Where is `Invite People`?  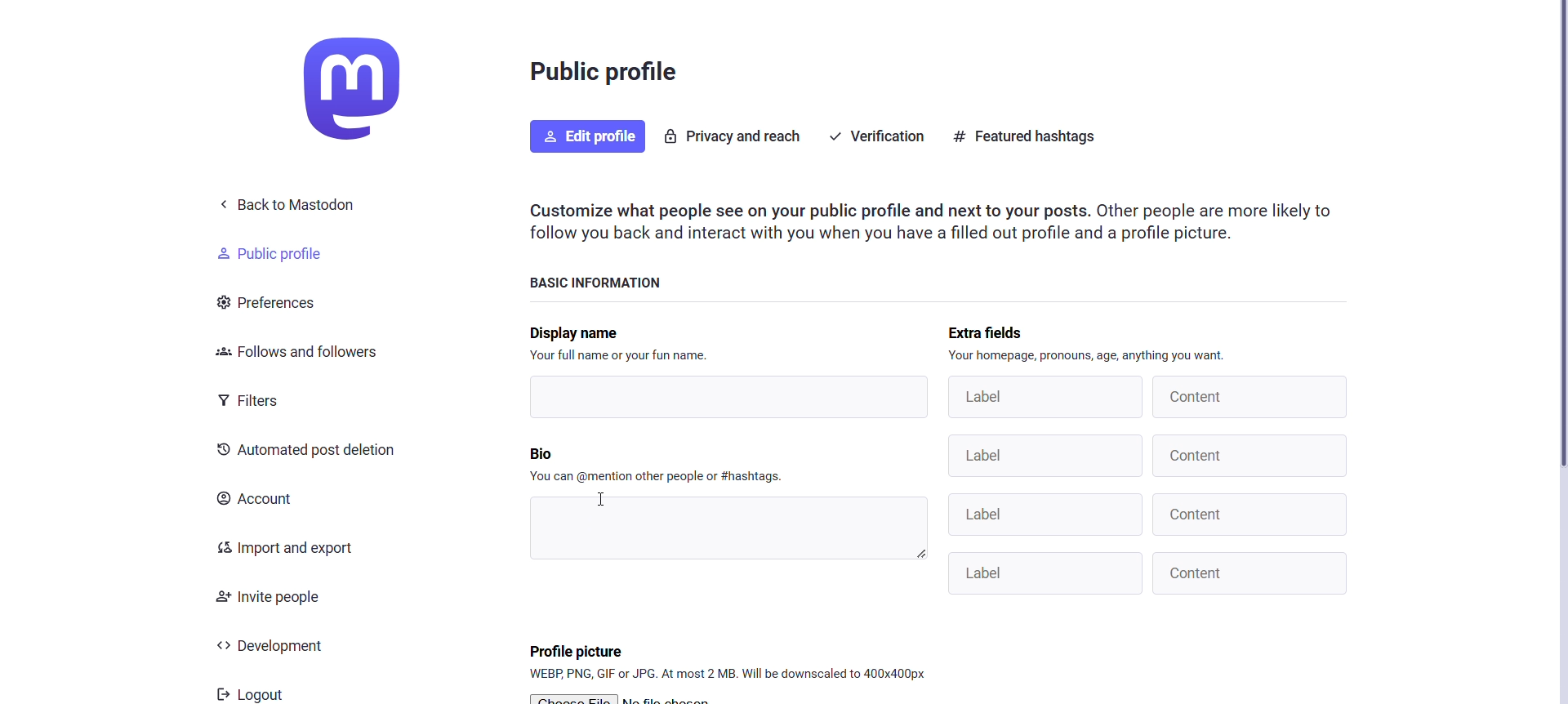
Invite People is located at coordinates (275, 595).